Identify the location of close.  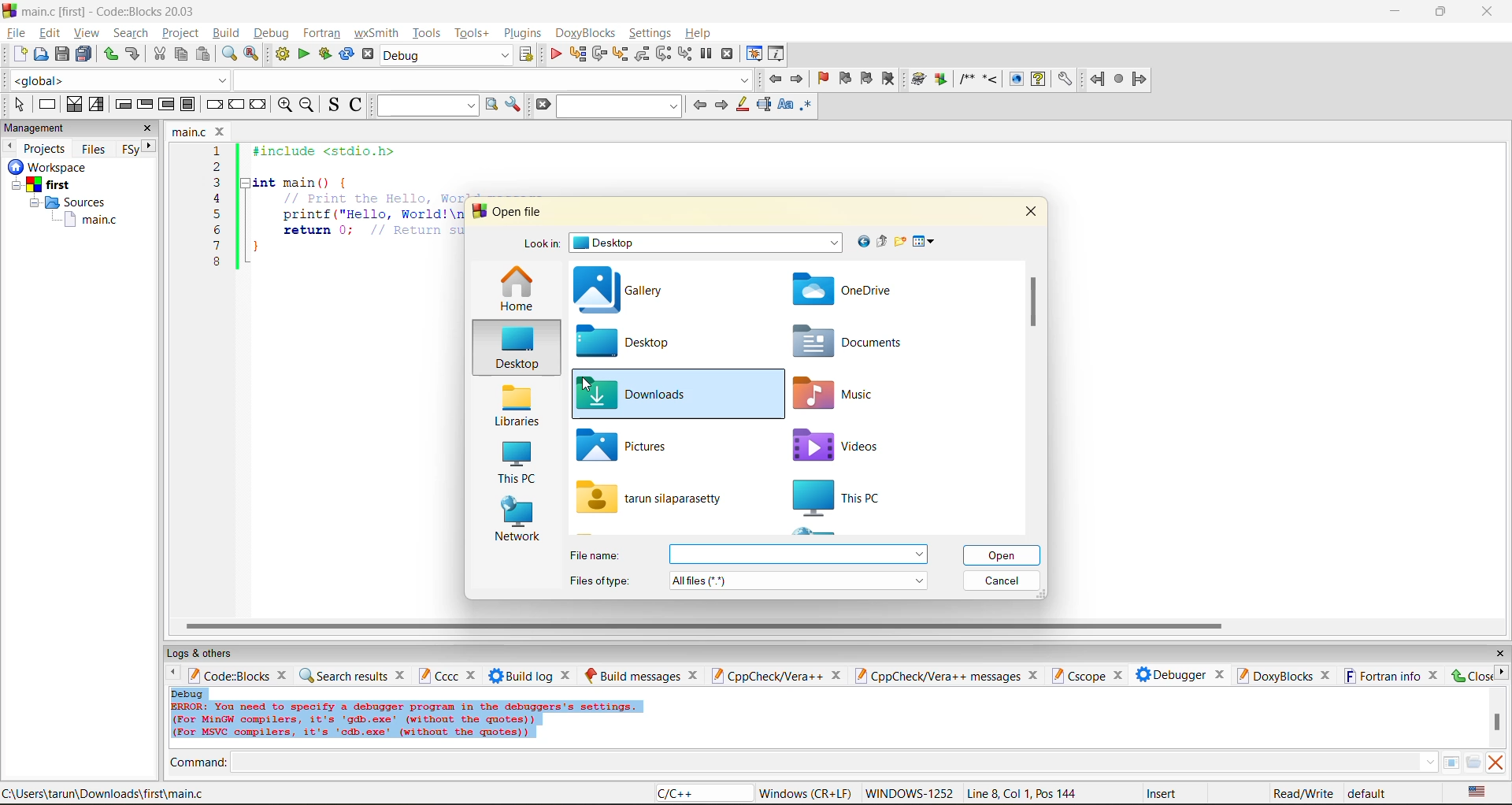
(148, 128).